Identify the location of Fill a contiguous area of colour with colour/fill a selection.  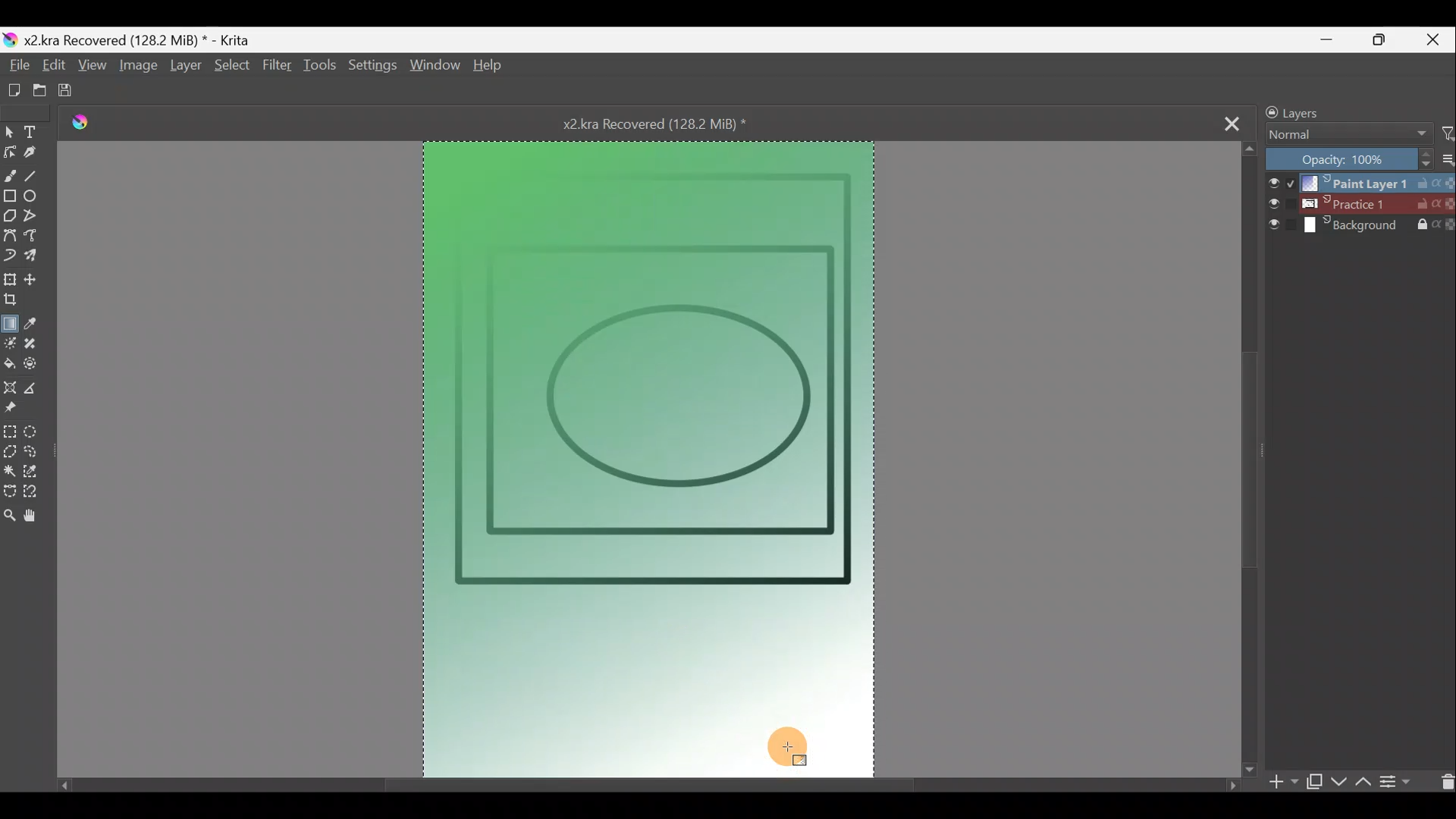
(9, 366).